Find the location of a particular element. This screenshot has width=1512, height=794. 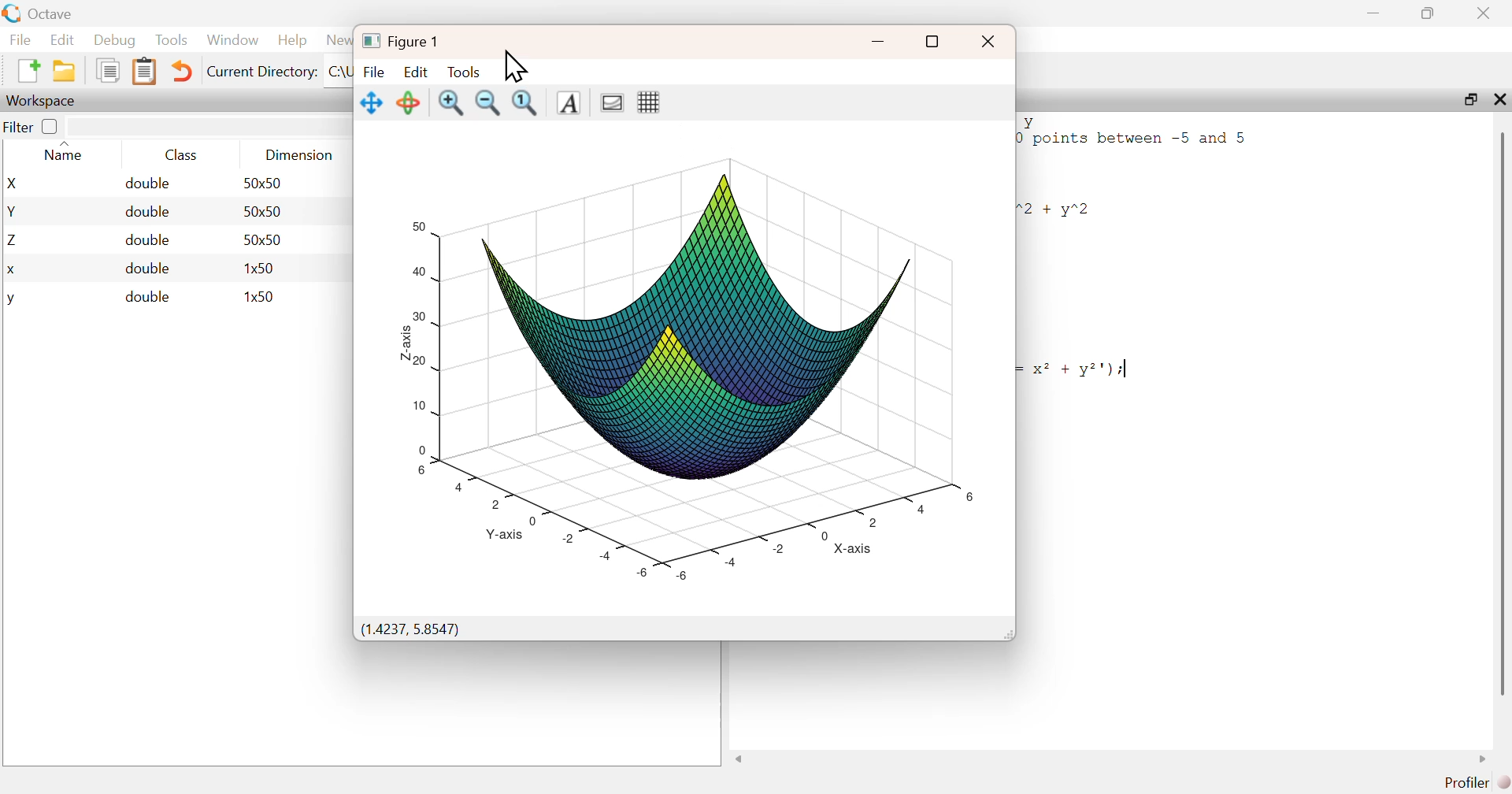

close is located at coordinates (989, 41).